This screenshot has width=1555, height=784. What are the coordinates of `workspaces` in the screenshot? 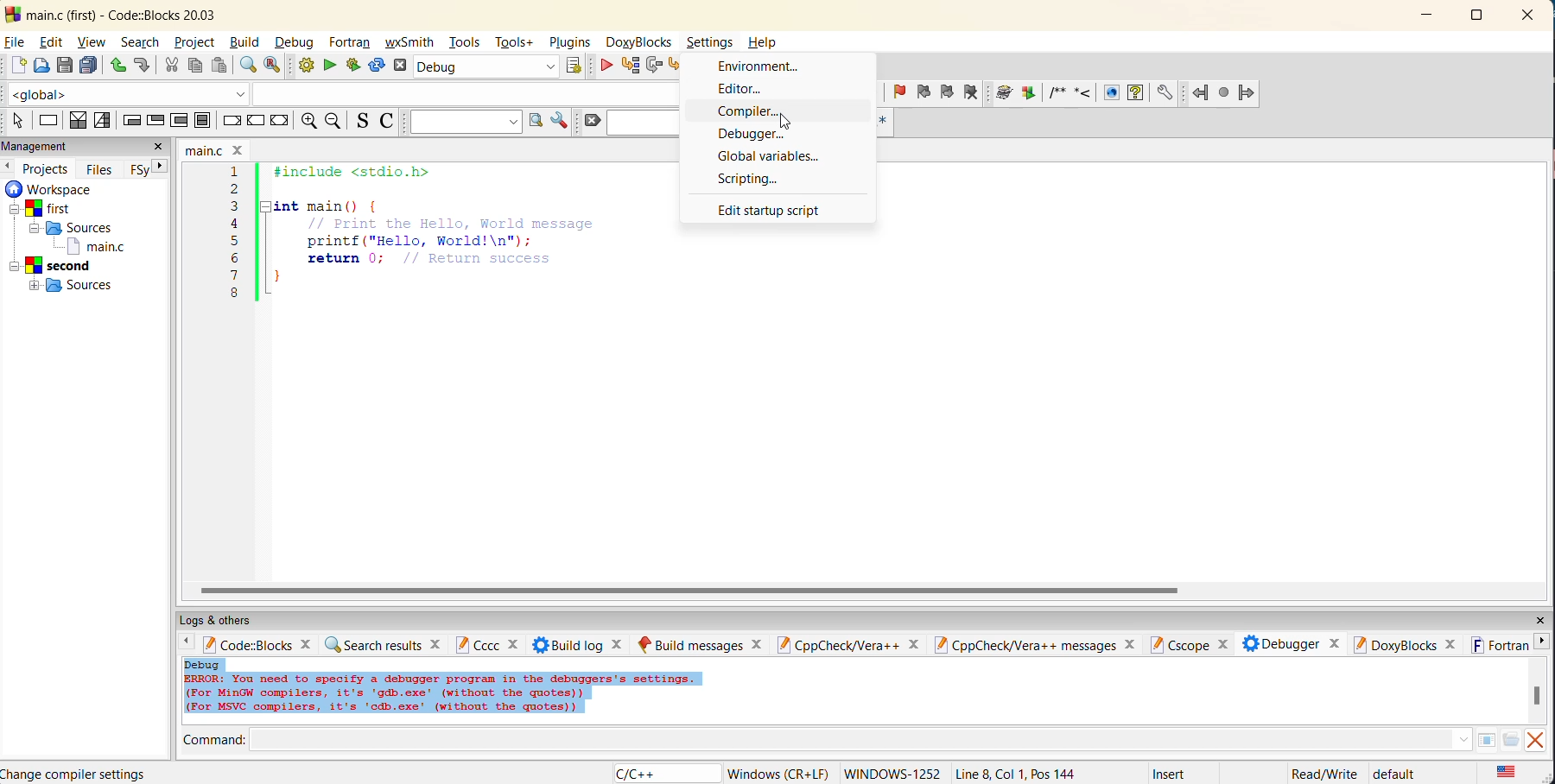 It's located at (75, 242).